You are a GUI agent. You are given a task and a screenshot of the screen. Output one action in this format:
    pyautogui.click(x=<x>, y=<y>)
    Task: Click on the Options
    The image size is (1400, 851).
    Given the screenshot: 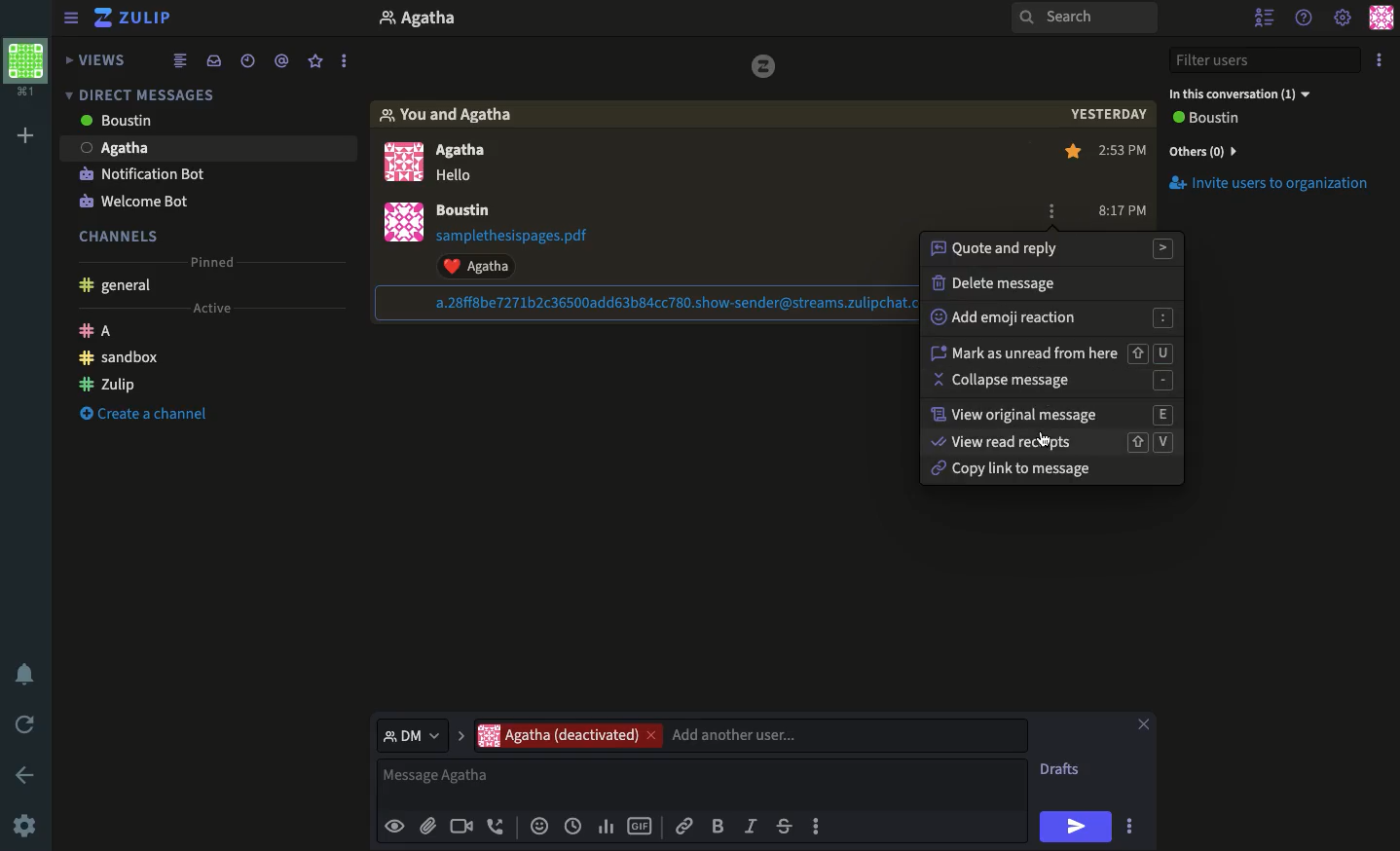 What is the action you would take?
    pyautogui.click(x=1379, y=59)
    